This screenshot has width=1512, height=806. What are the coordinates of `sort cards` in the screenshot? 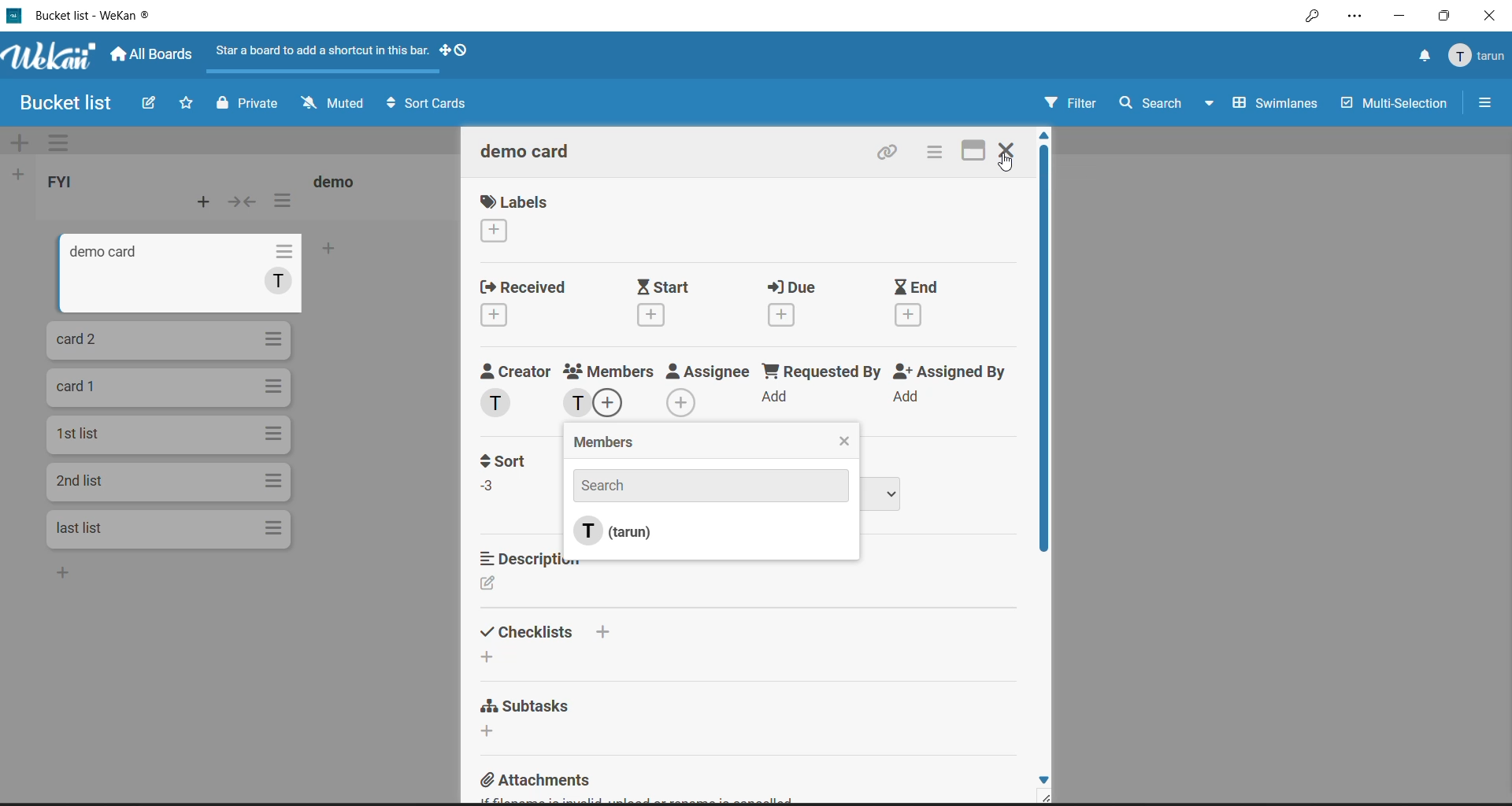 It's located at (429, 103).